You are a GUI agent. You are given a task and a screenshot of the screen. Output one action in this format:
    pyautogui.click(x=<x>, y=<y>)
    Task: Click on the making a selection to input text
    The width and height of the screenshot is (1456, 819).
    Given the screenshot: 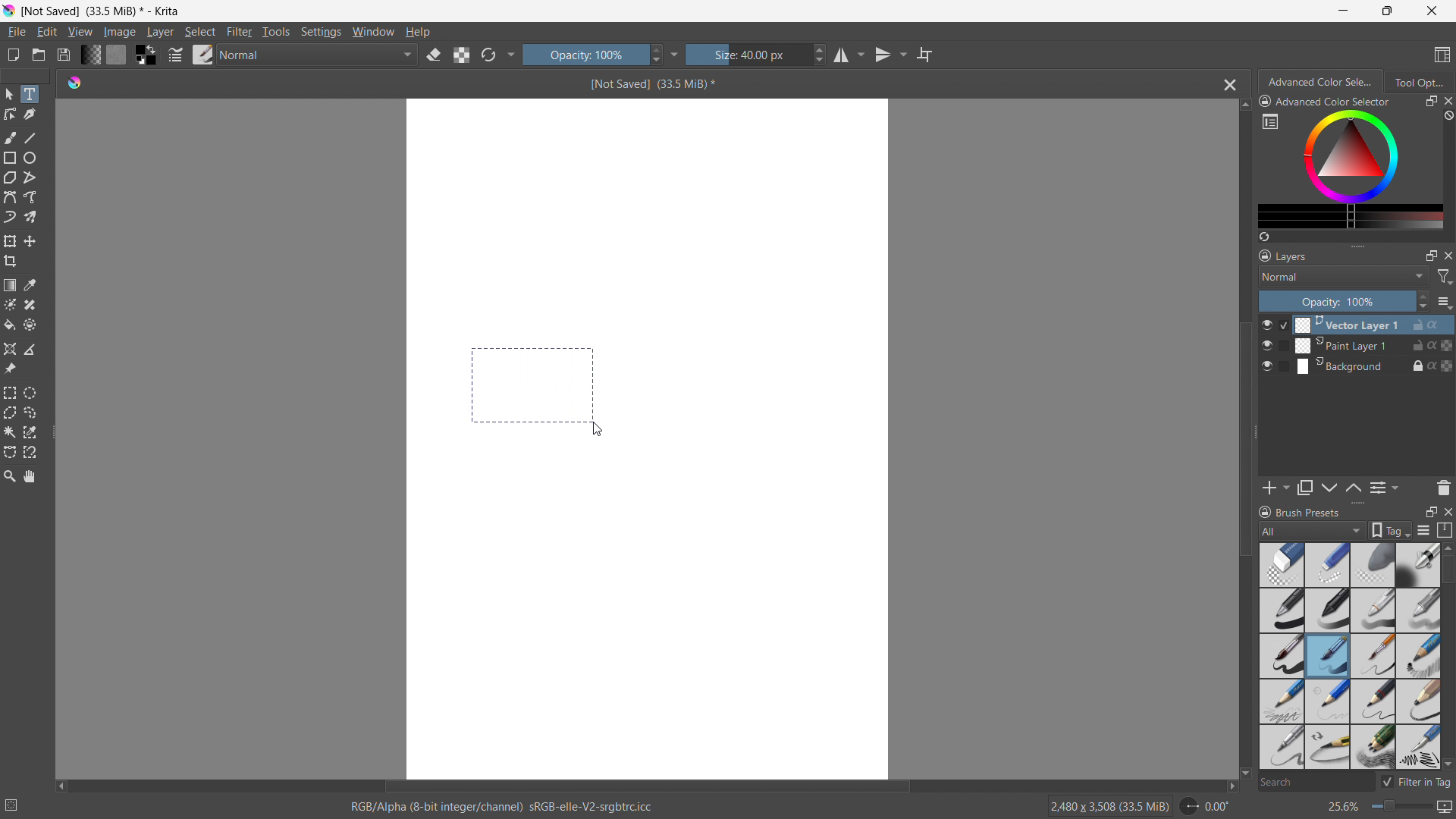 What is the action you would take?
    pyautogui.click(x=534, y=384)
    